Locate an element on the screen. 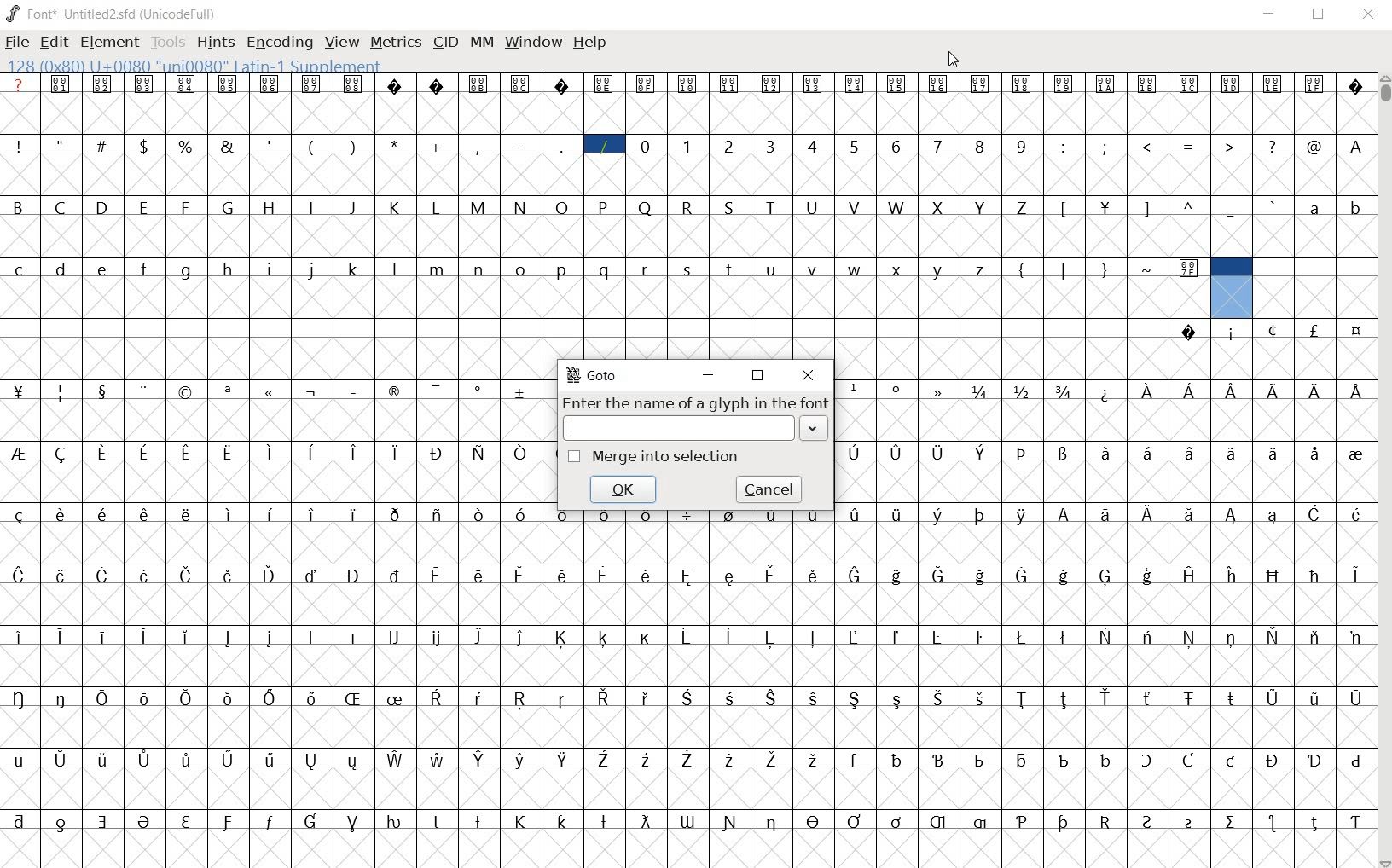 This screenshot has width=1392, height=868. Symbol is located at coordinates (106, 635).